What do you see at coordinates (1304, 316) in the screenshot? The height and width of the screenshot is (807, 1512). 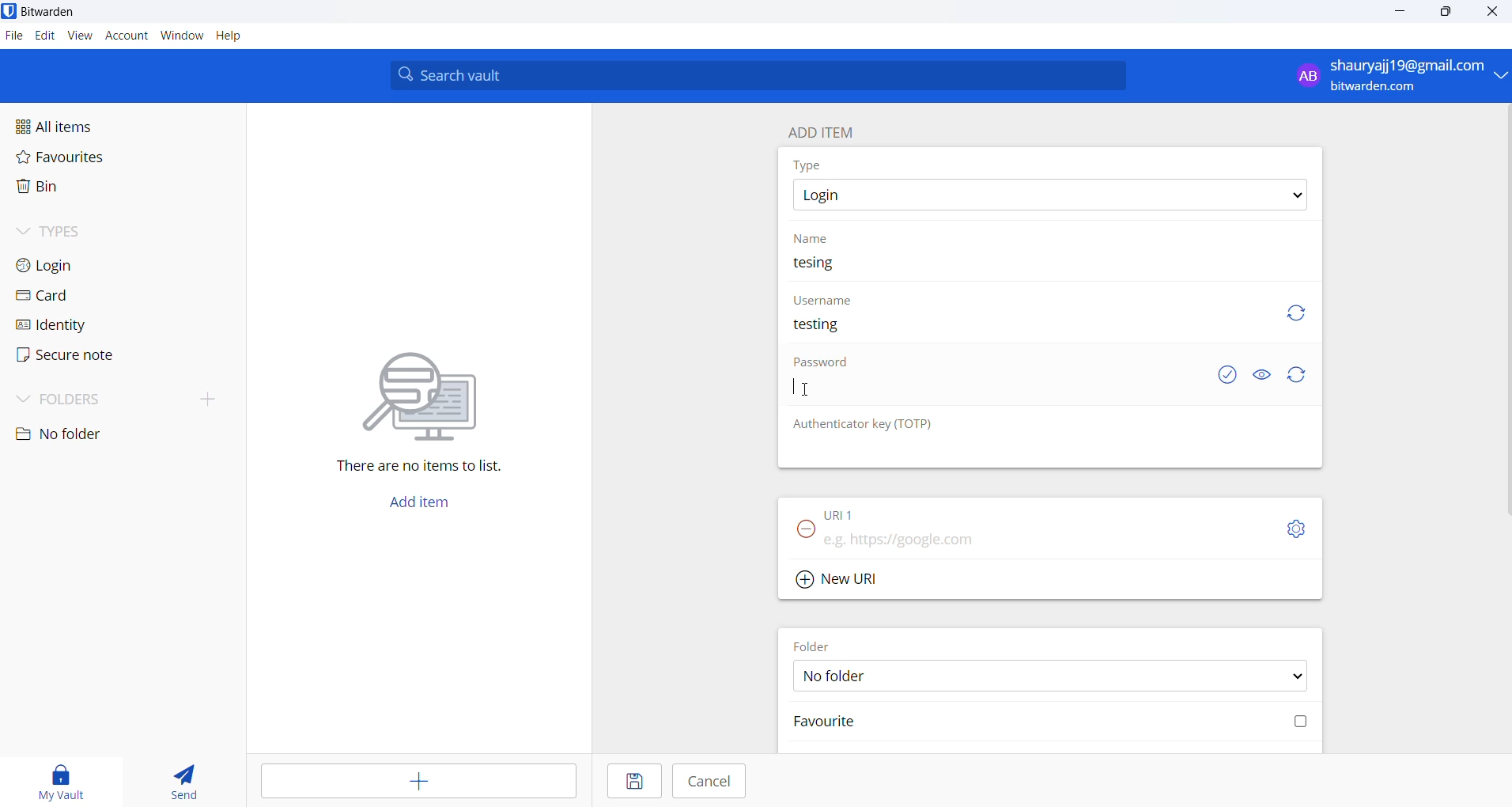 I see `Refresh ` at bounding box center [1304, 316].